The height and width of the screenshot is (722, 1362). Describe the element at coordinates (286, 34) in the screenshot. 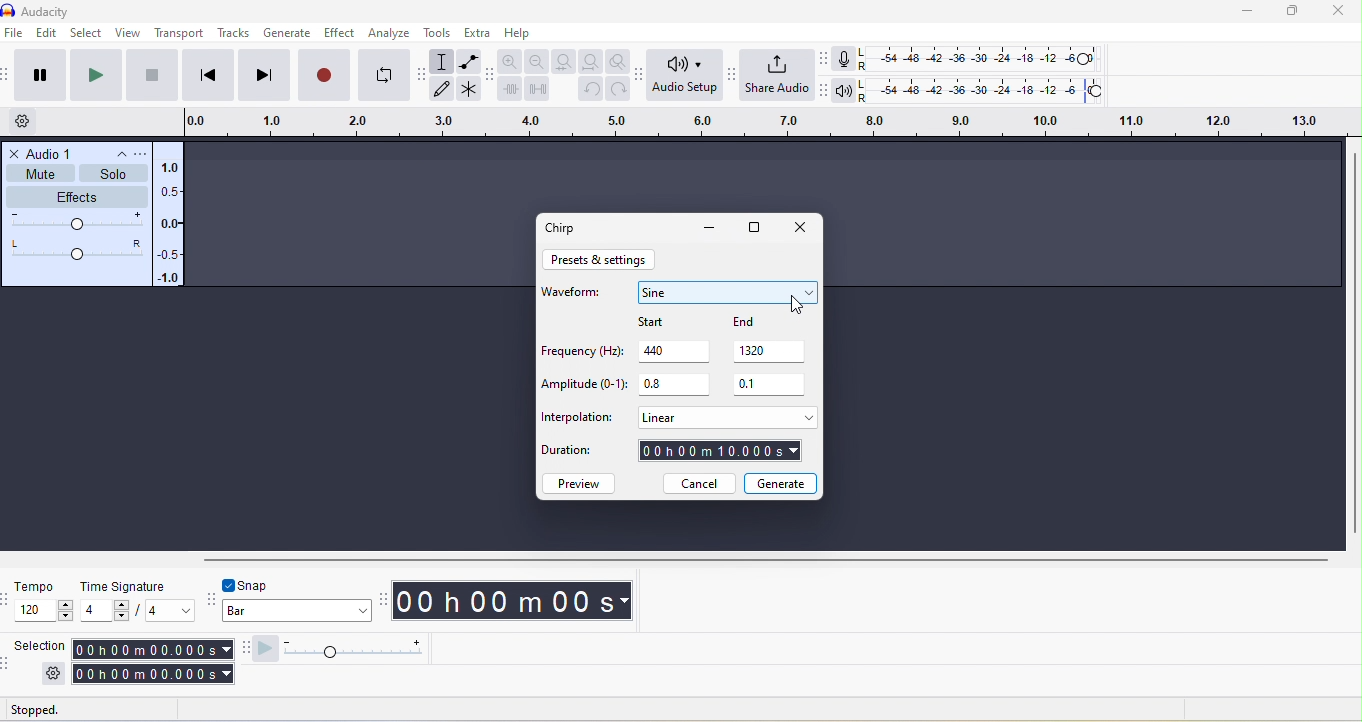

I see `generate` at that location.